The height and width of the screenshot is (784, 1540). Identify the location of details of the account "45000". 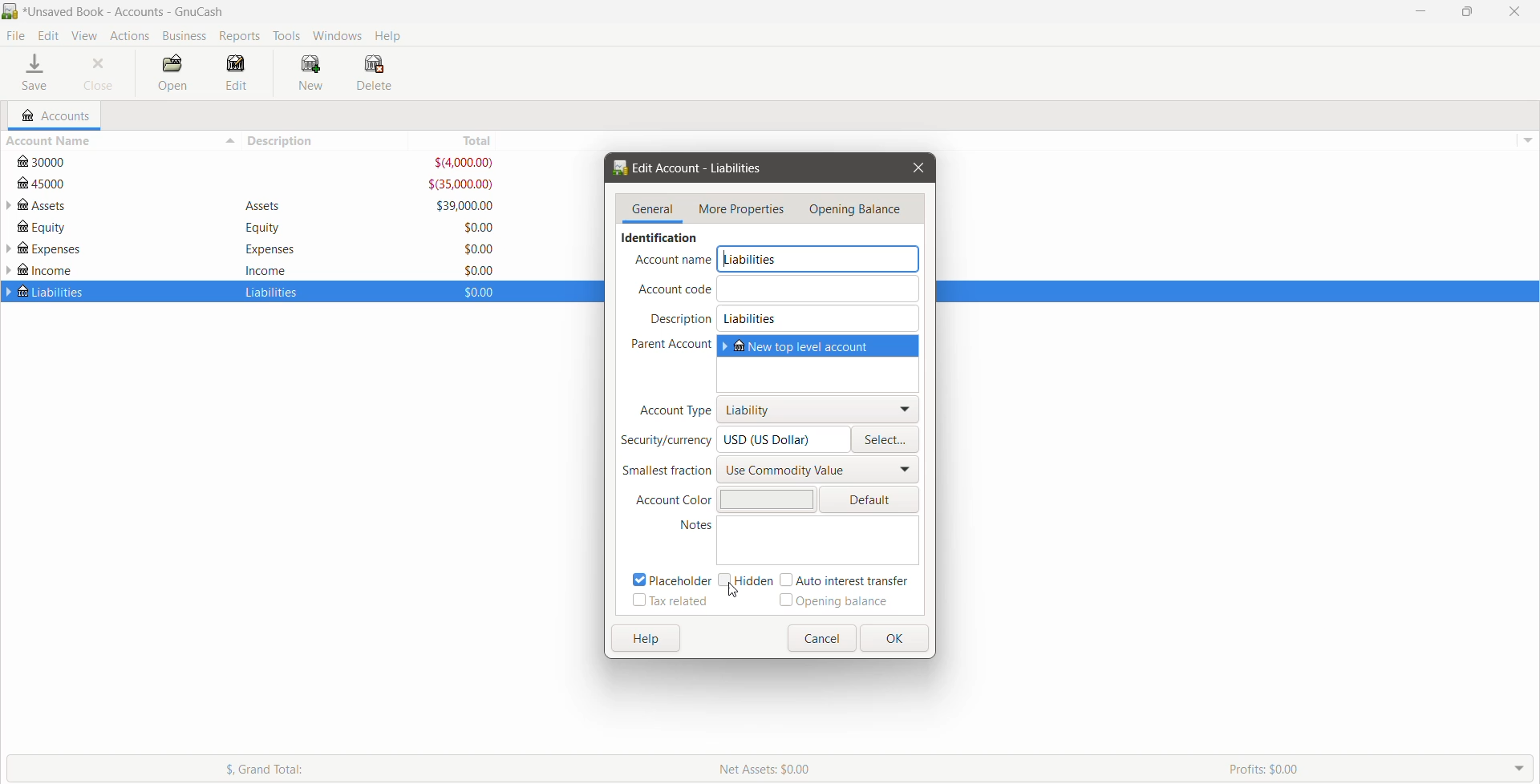
(257, 184).